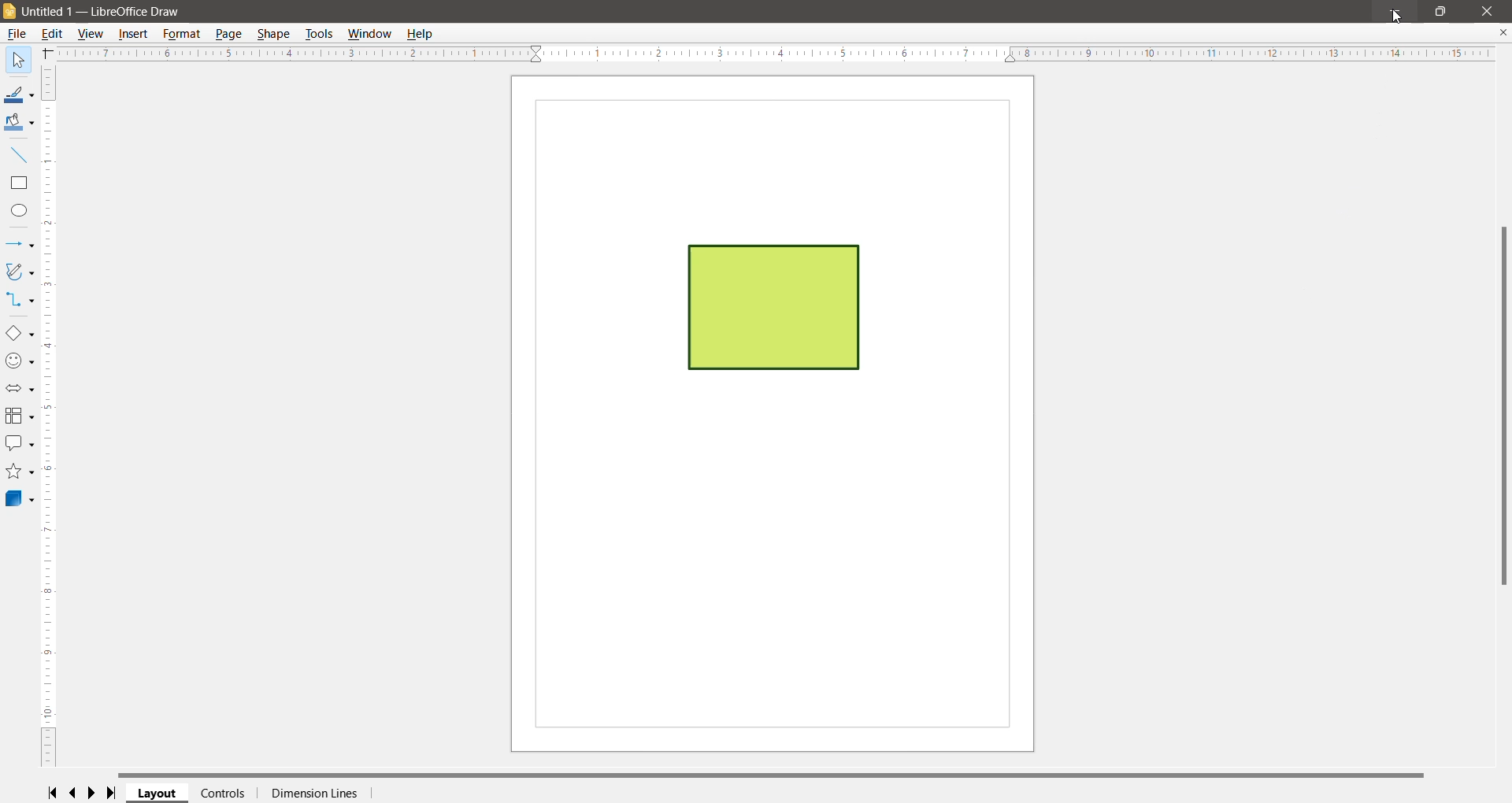 This screenshot has height=803, width=1512. What do you see at coordinates (134, 34) in the screenshot?
I see `Insert` at bounding box center [134, 34].